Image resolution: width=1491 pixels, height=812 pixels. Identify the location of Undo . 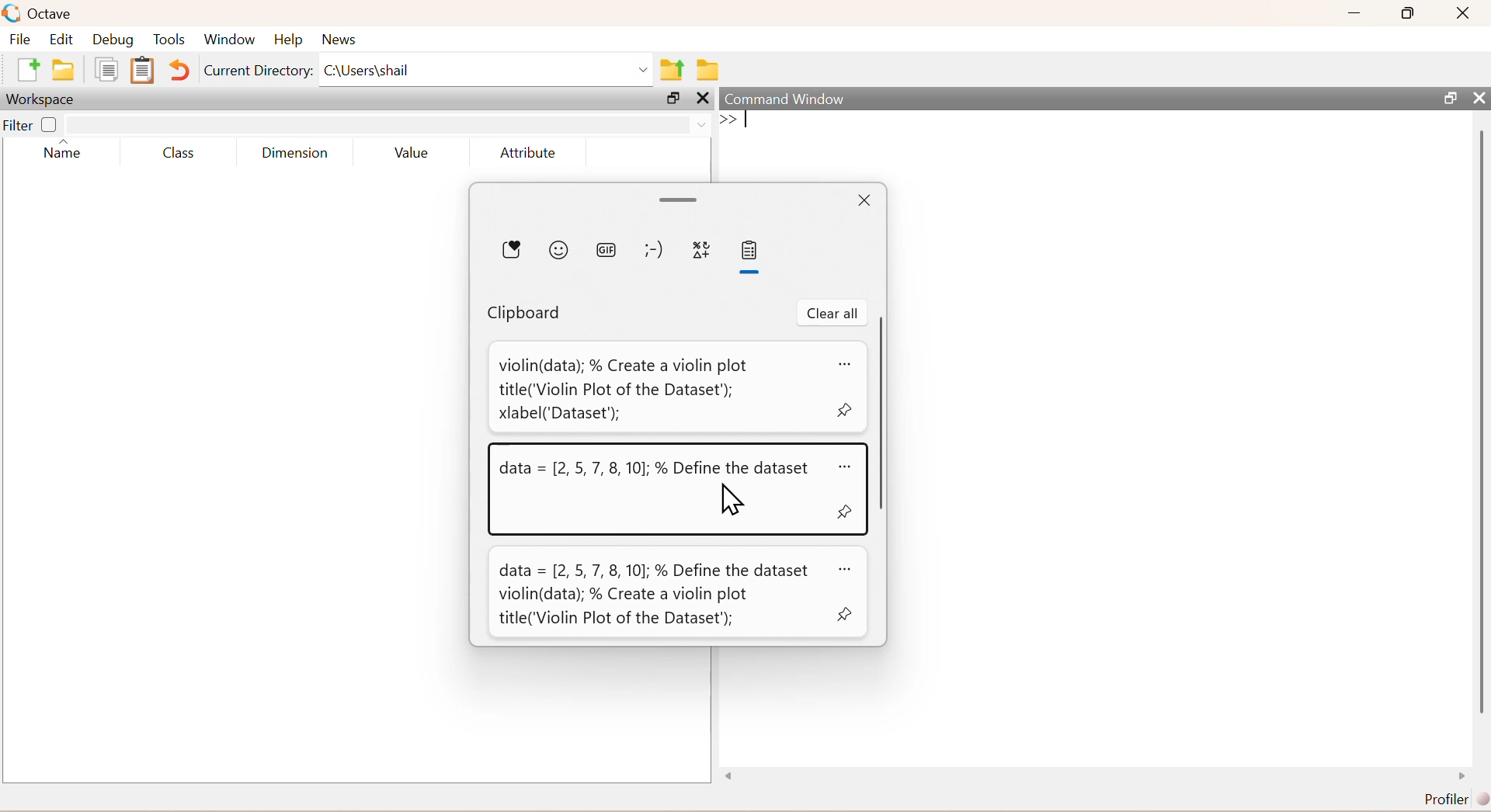
(179, 70).